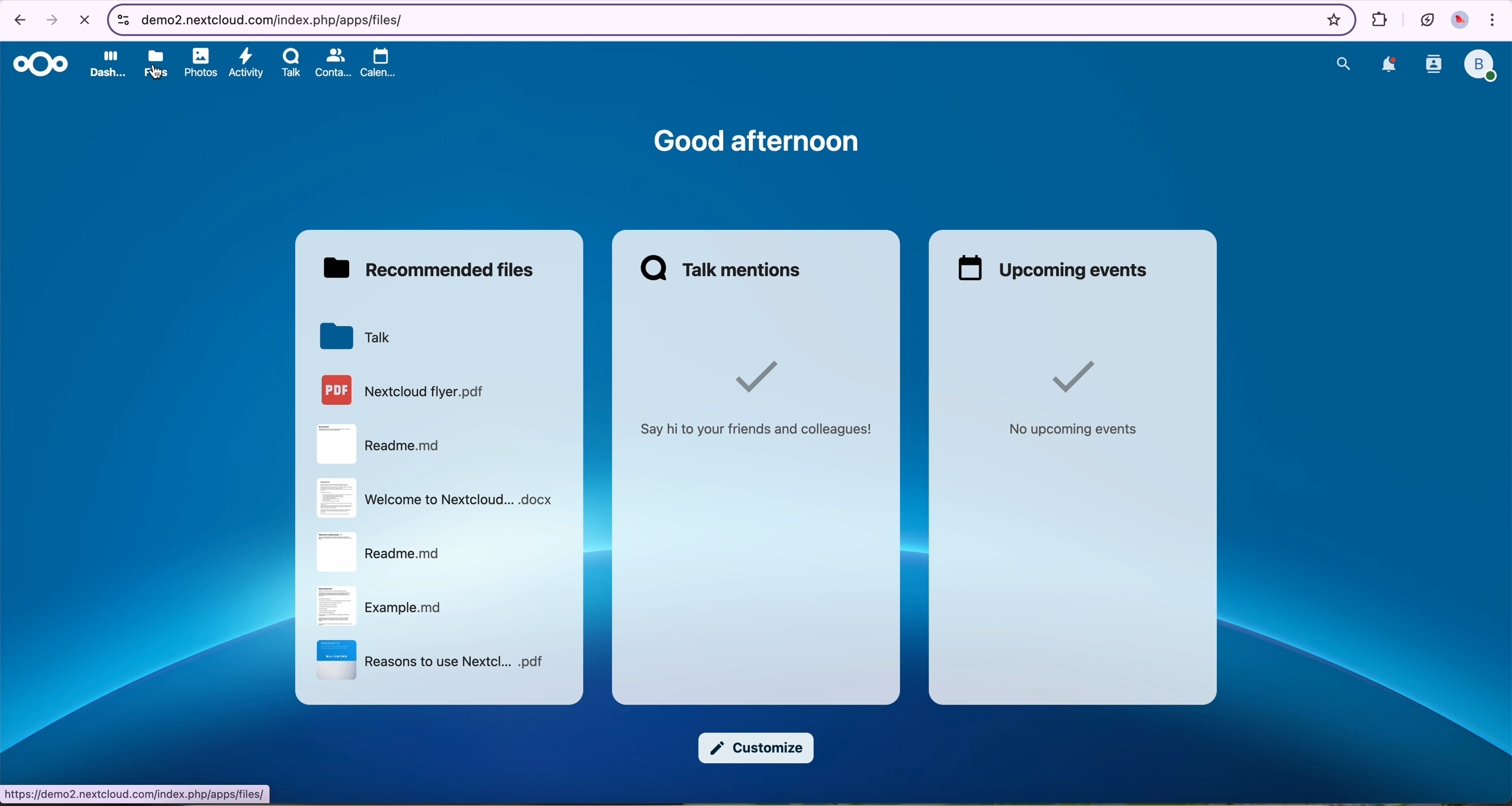  Describe the element at coordinates (158, 74) in the screenshot. I see `cursor` at that location.